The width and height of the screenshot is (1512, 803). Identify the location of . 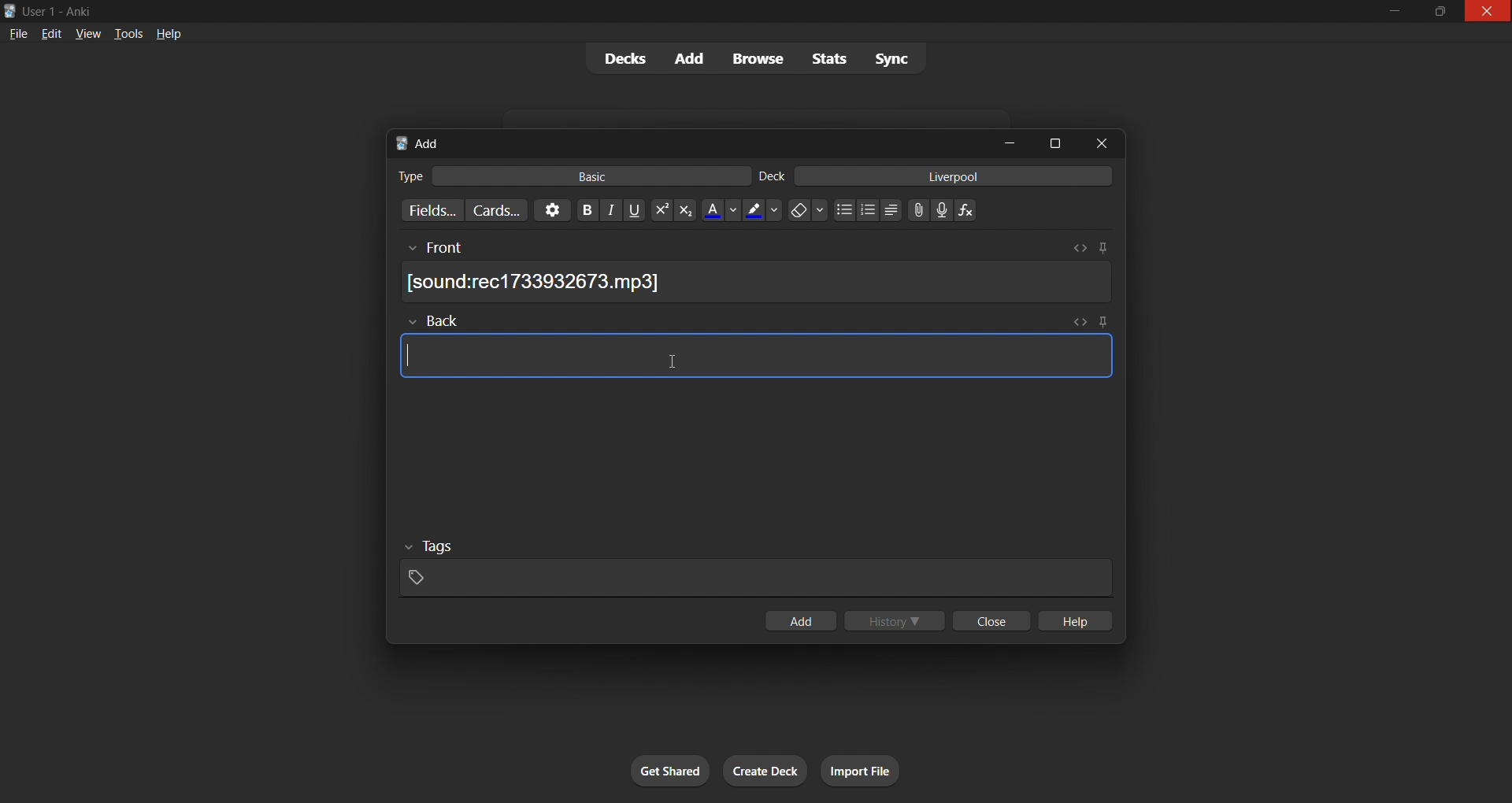
(951, 176).